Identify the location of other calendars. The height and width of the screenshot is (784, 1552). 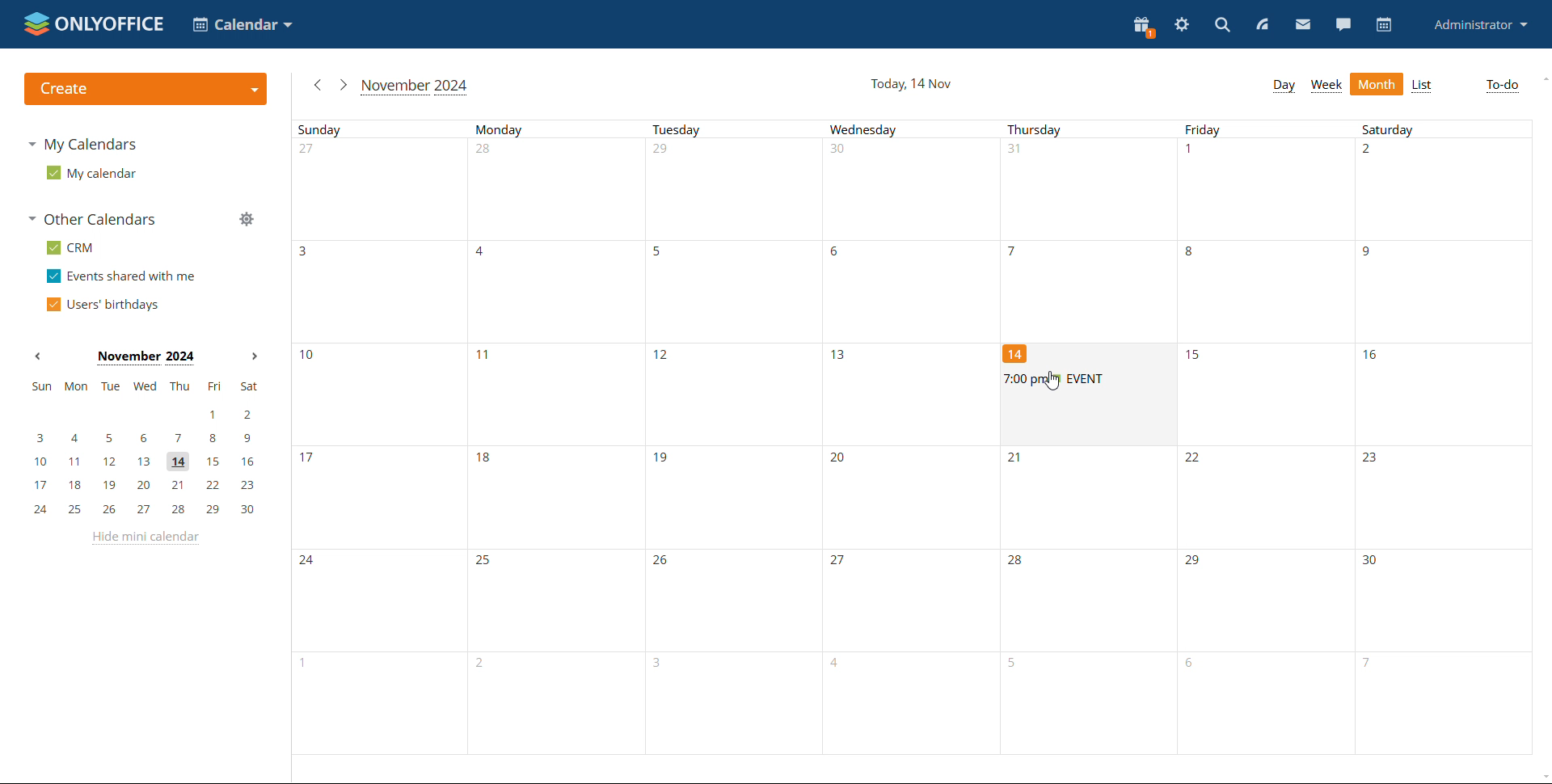
(92, 218).